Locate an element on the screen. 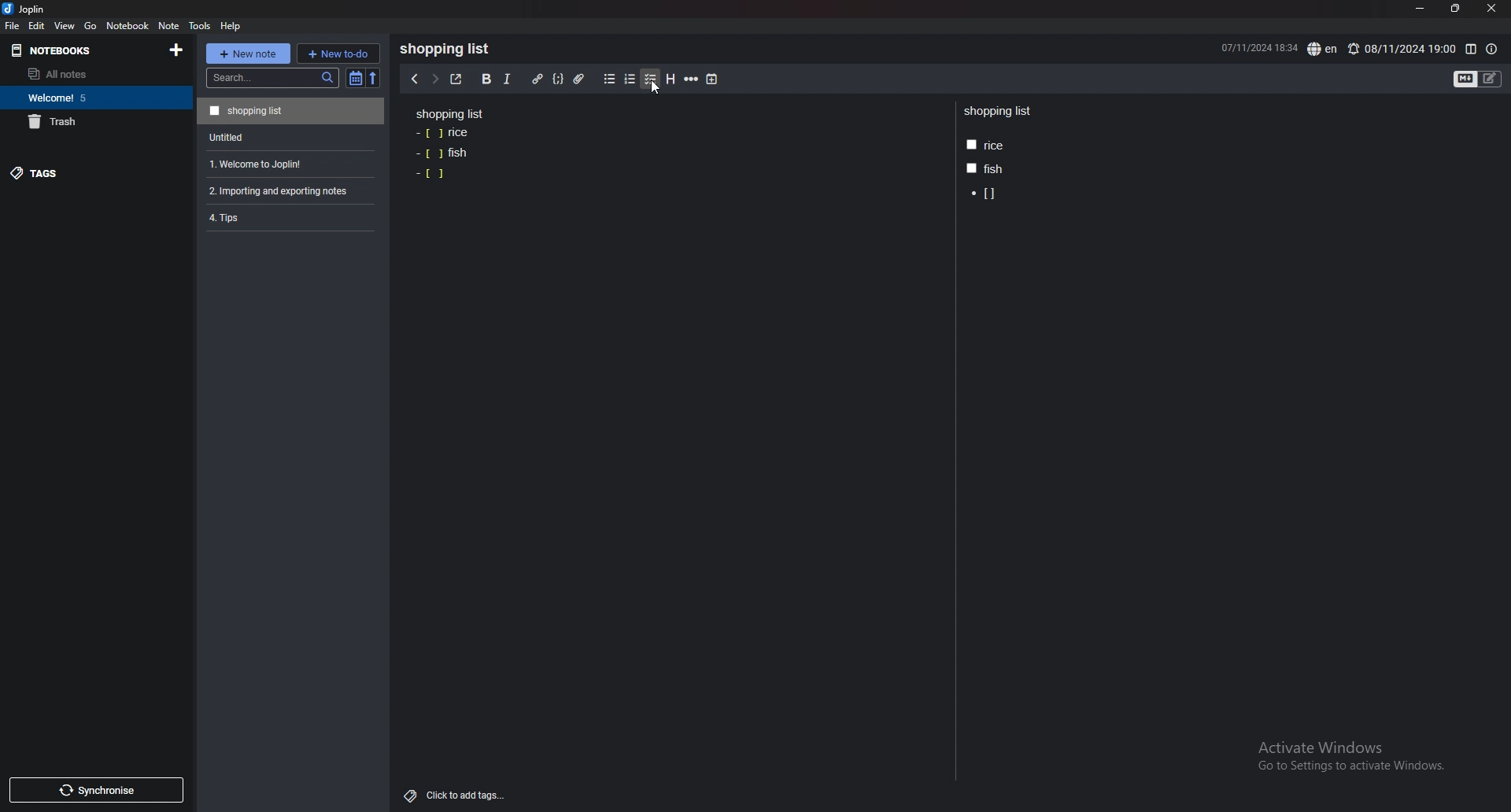 This screenshot has height=812, width=1511. hyperlink is located at coordinates (538, 79).